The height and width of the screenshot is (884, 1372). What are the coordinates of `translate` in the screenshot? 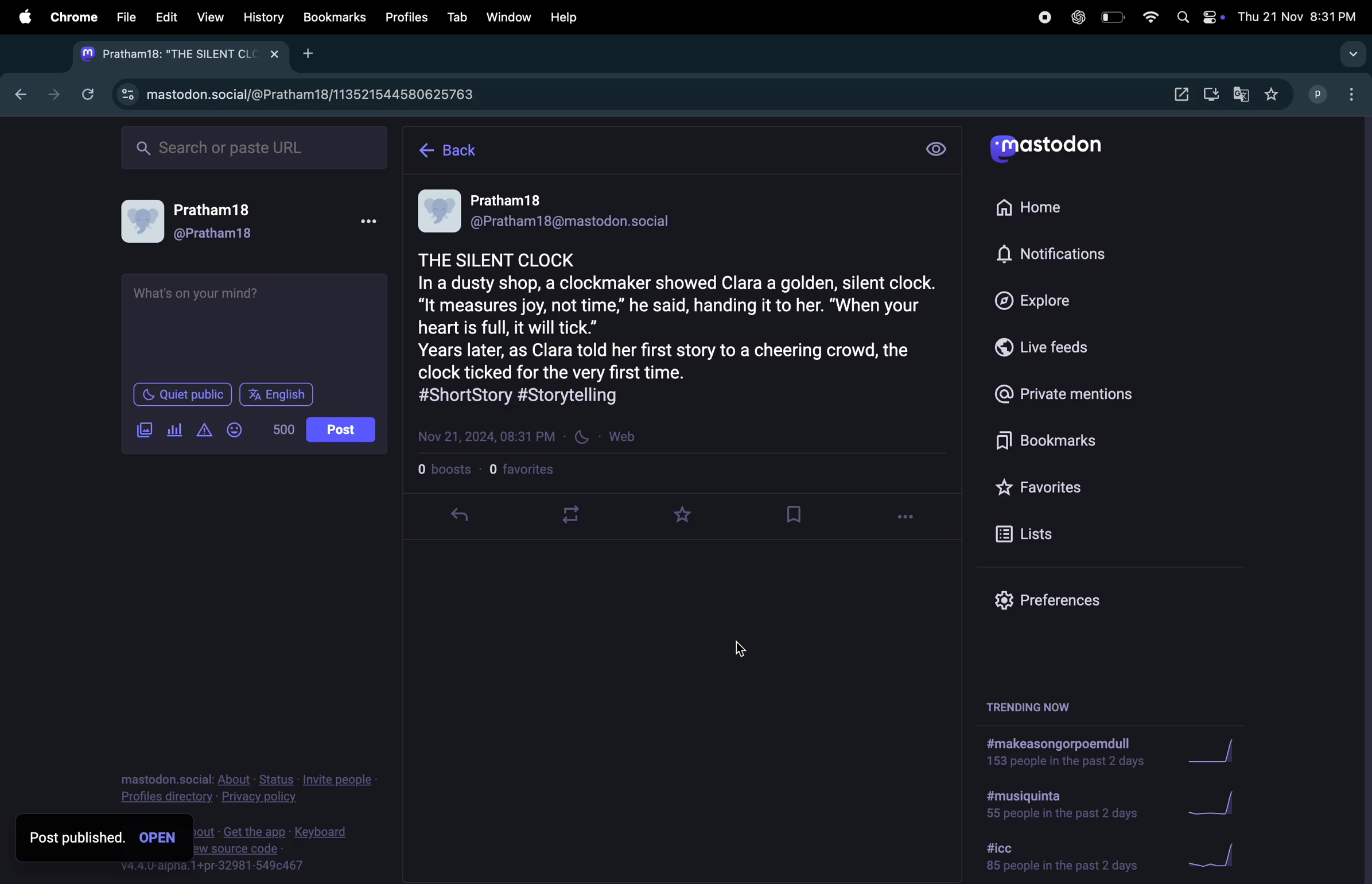 It's located at (1241, 95).